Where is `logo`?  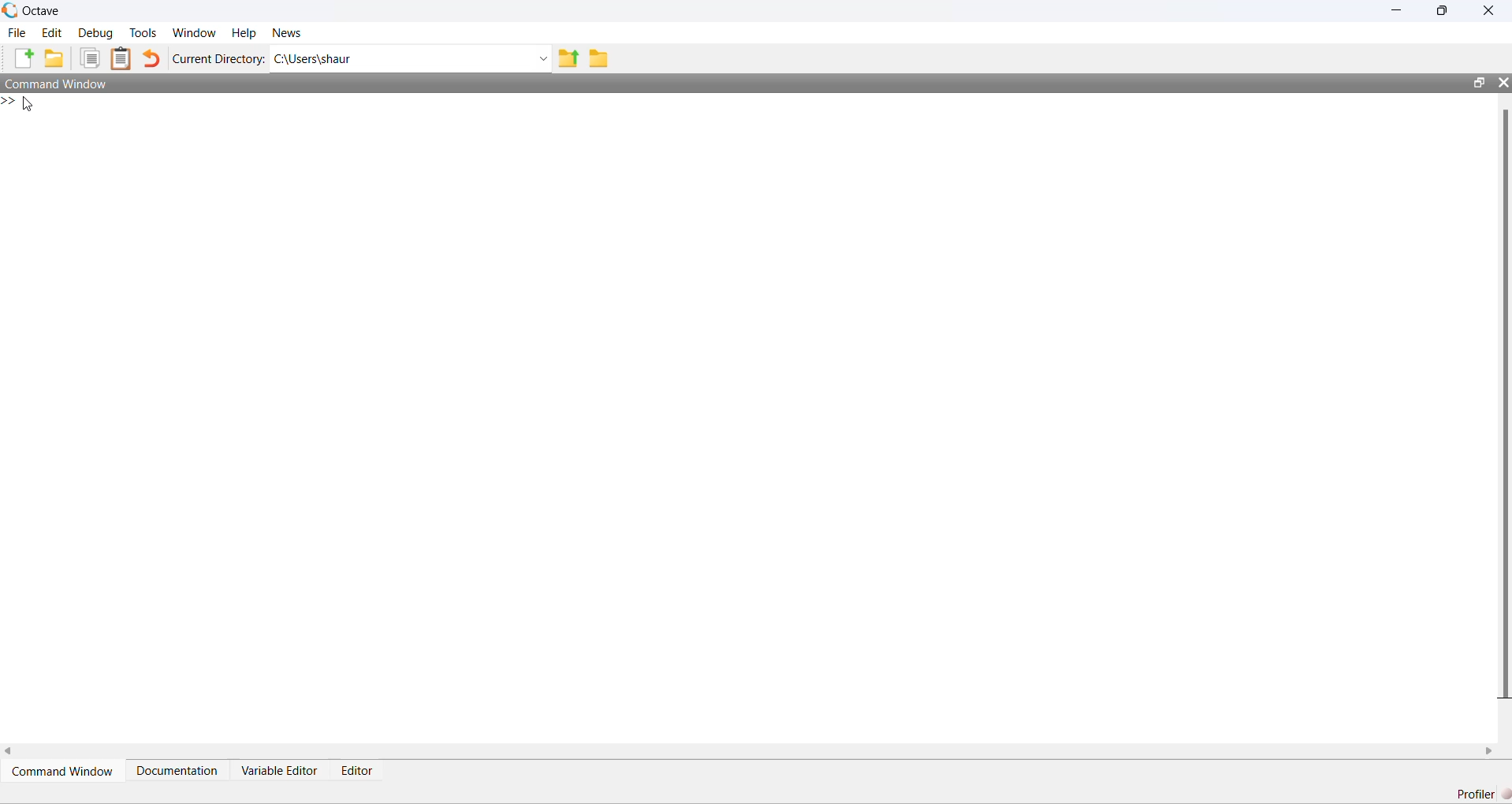 logo is located at coordinates (11, 10).